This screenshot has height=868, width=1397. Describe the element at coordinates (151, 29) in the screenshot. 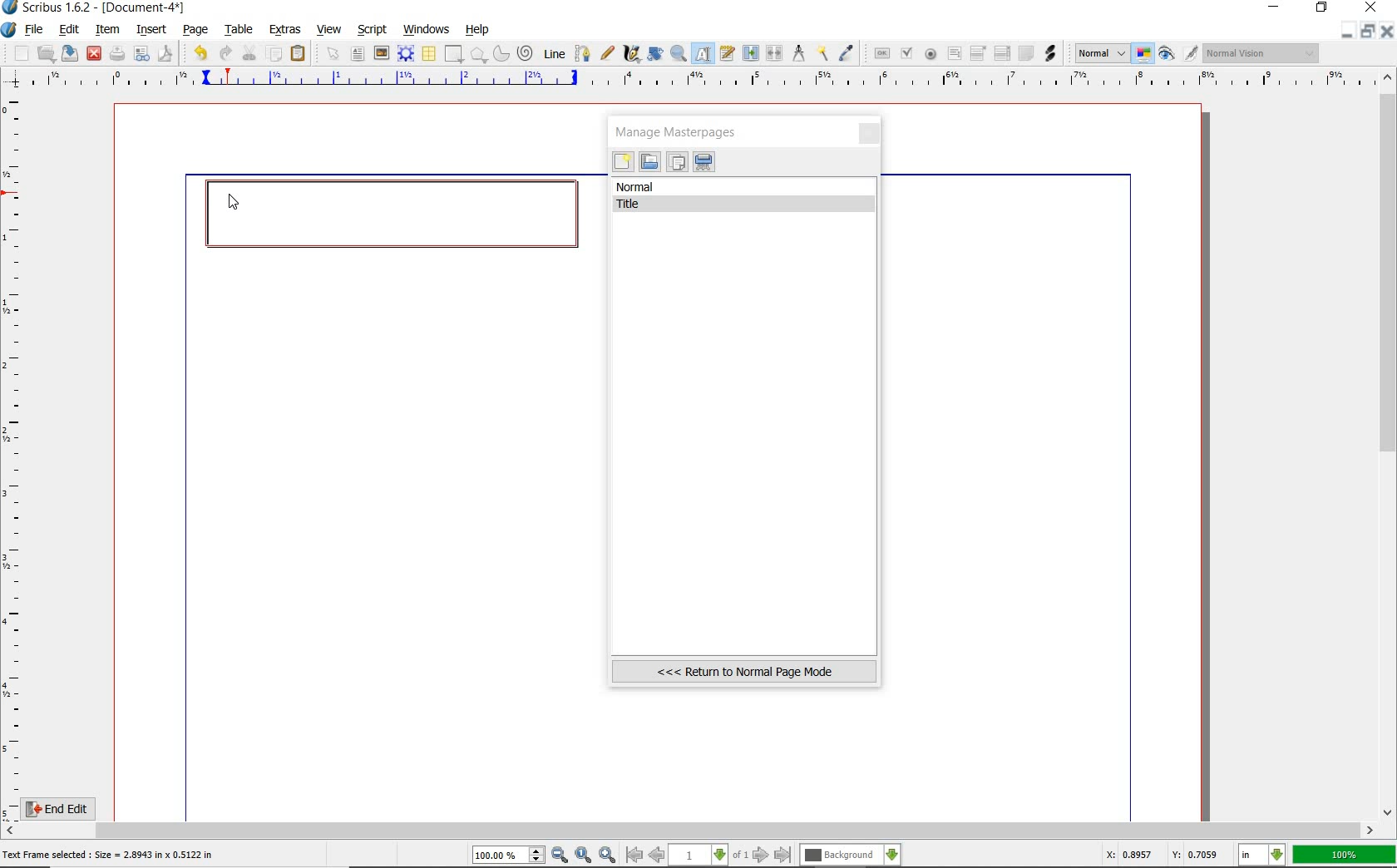

I see `insert` at that location.